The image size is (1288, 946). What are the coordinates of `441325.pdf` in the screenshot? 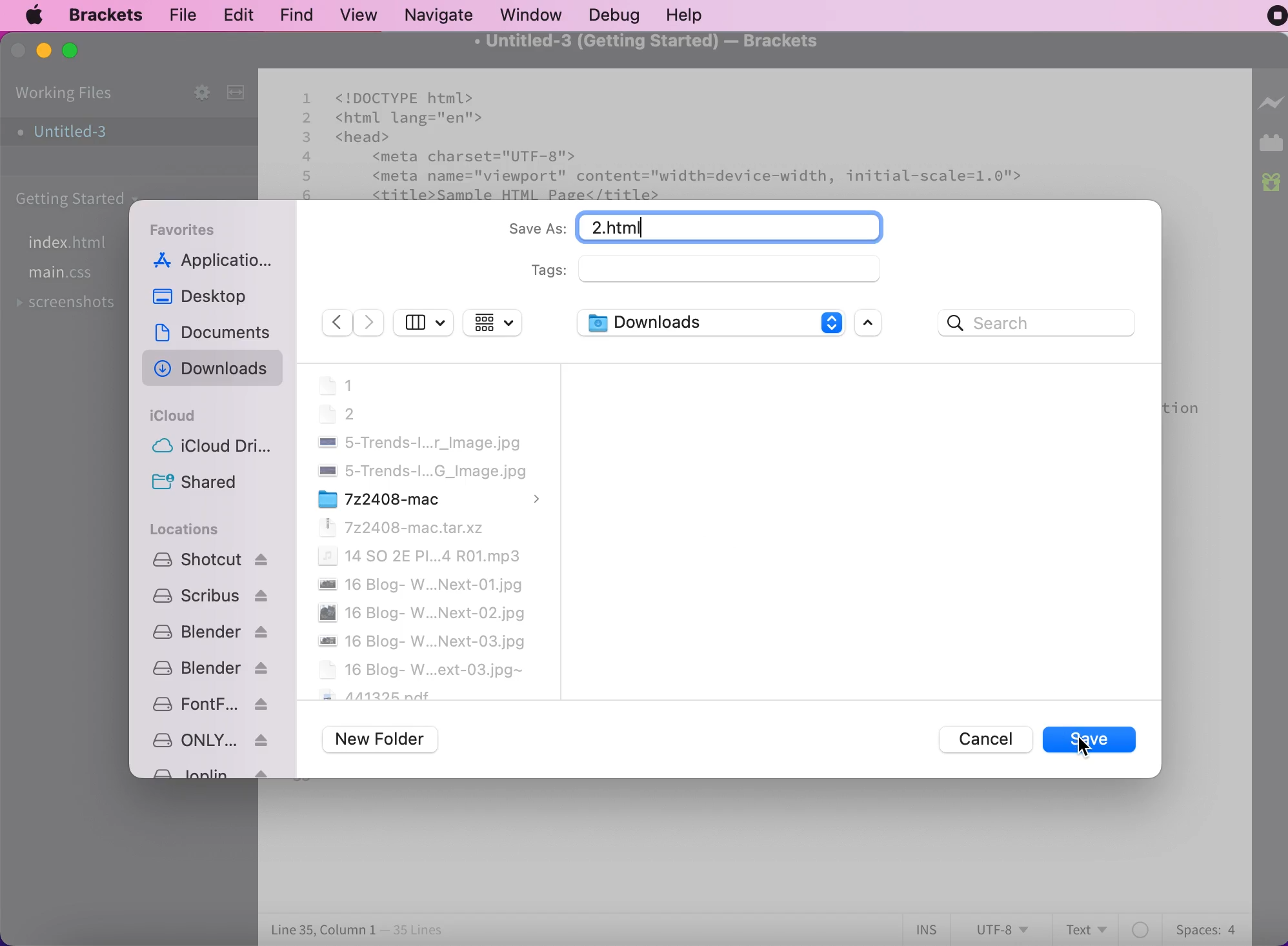 It's located at (376, 694).